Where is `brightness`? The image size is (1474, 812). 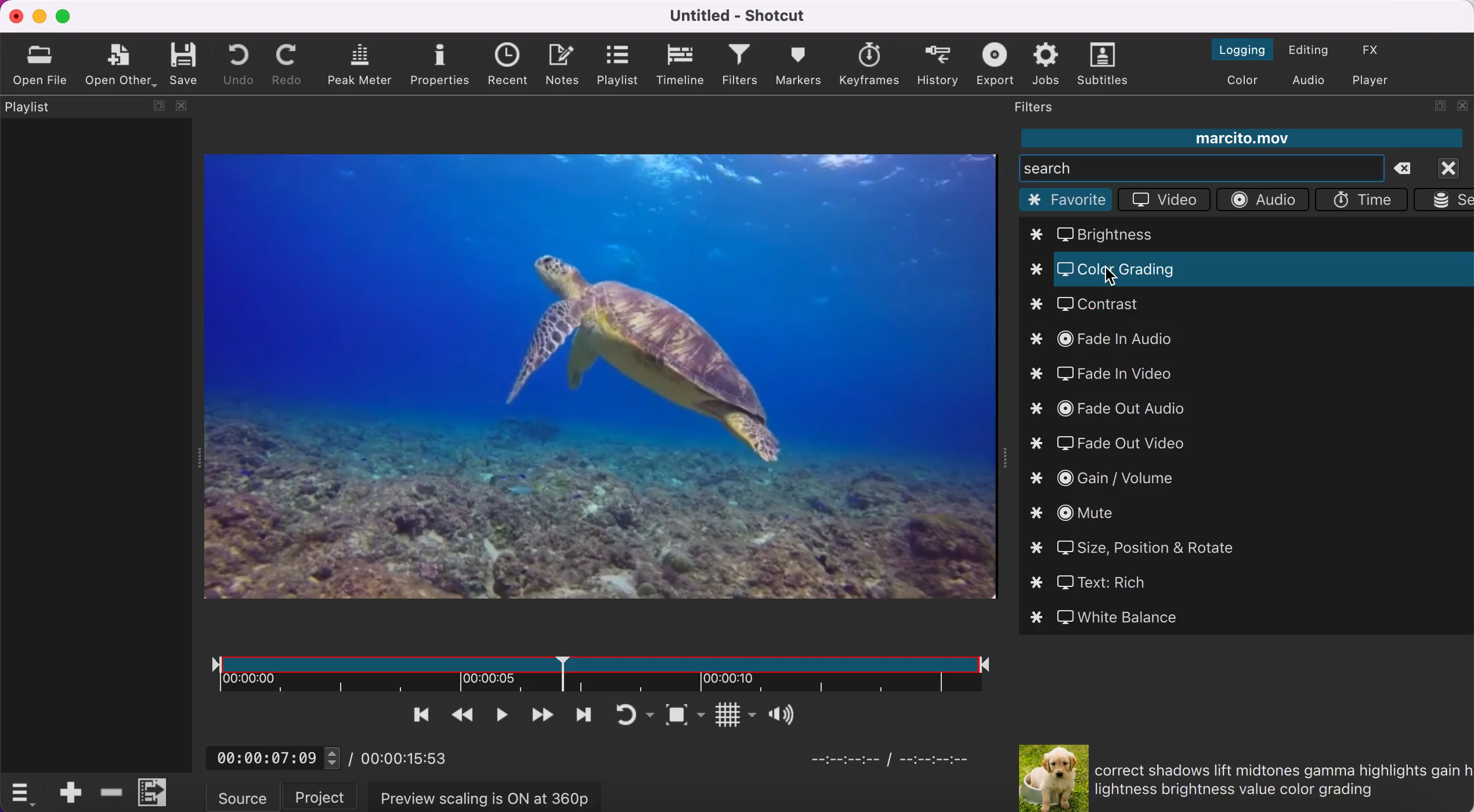
brightness is located at coordinates (1109, 233).